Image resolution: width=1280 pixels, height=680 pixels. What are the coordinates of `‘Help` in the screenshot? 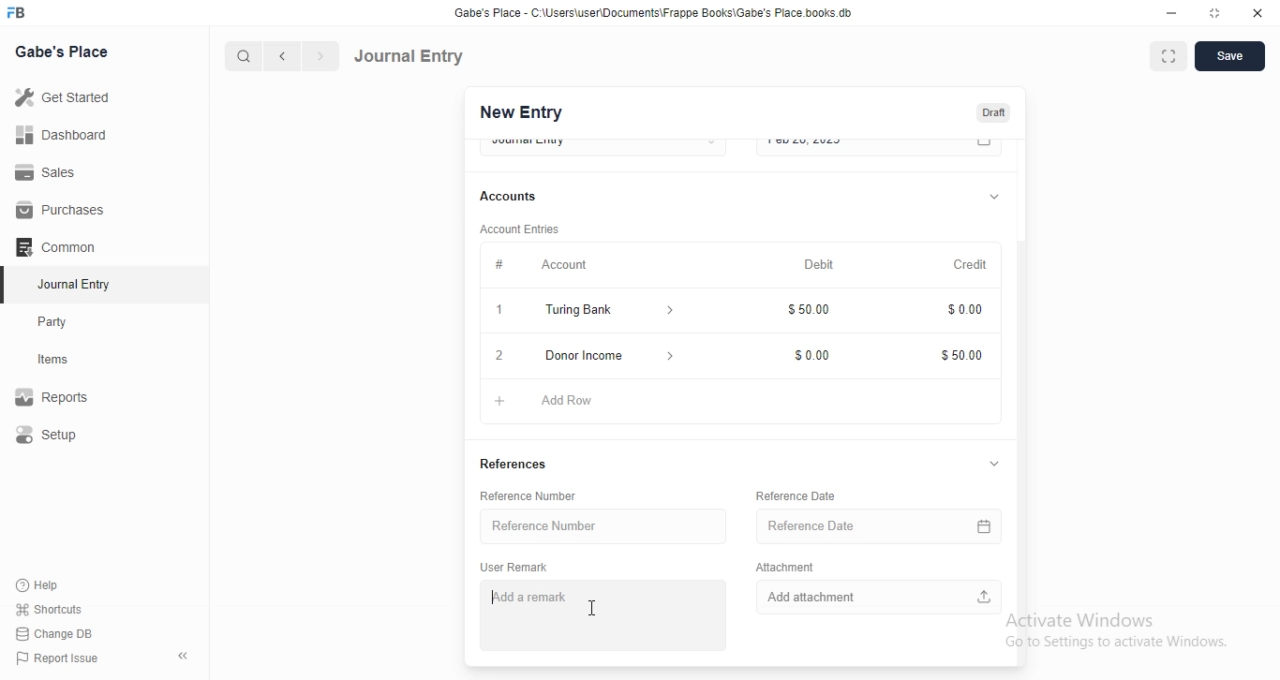 It's located at (61, 585).